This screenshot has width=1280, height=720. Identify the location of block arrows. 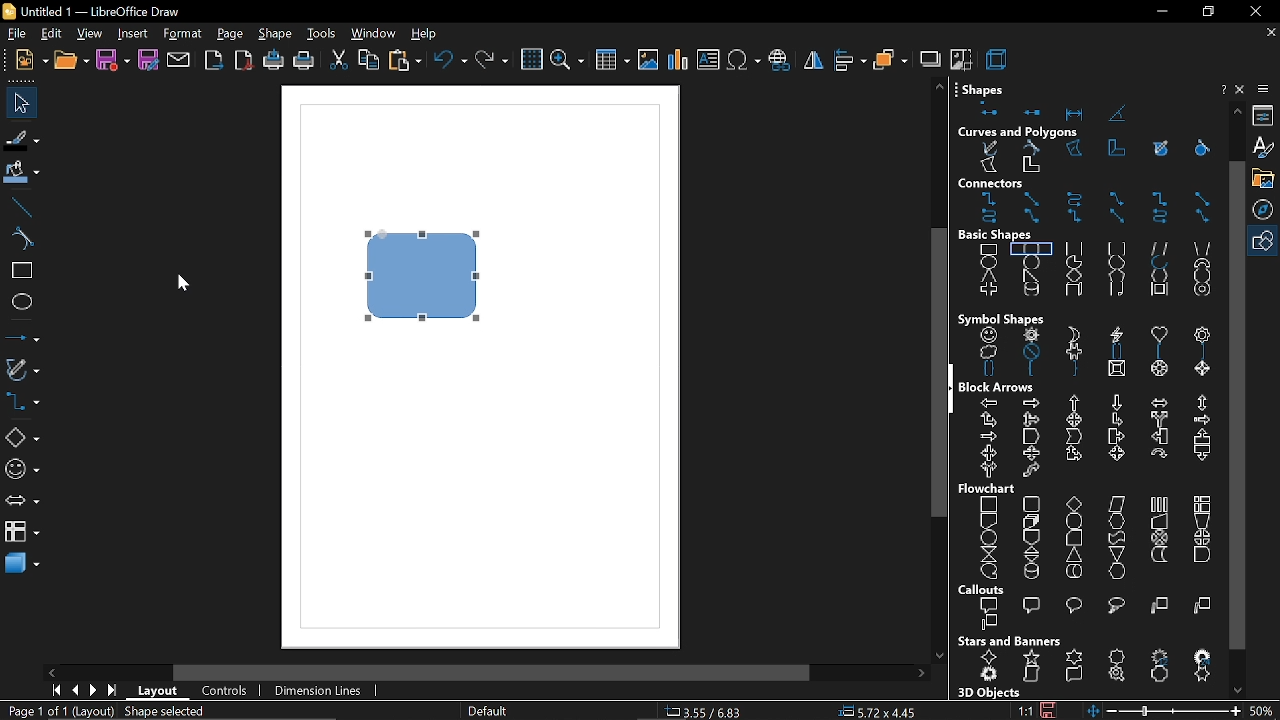
(1090, 438).